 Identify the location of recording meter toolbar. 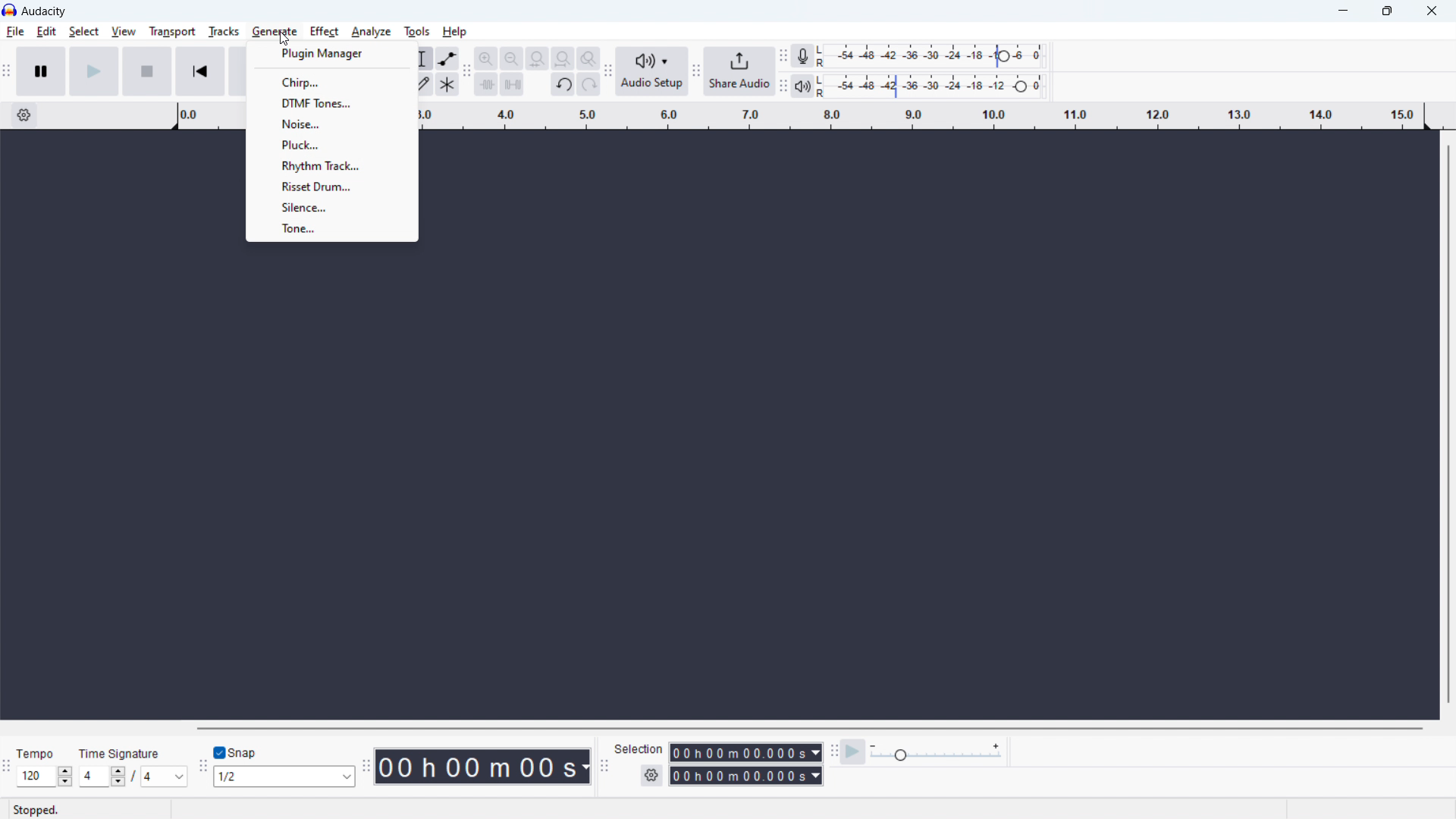
(783, 56).